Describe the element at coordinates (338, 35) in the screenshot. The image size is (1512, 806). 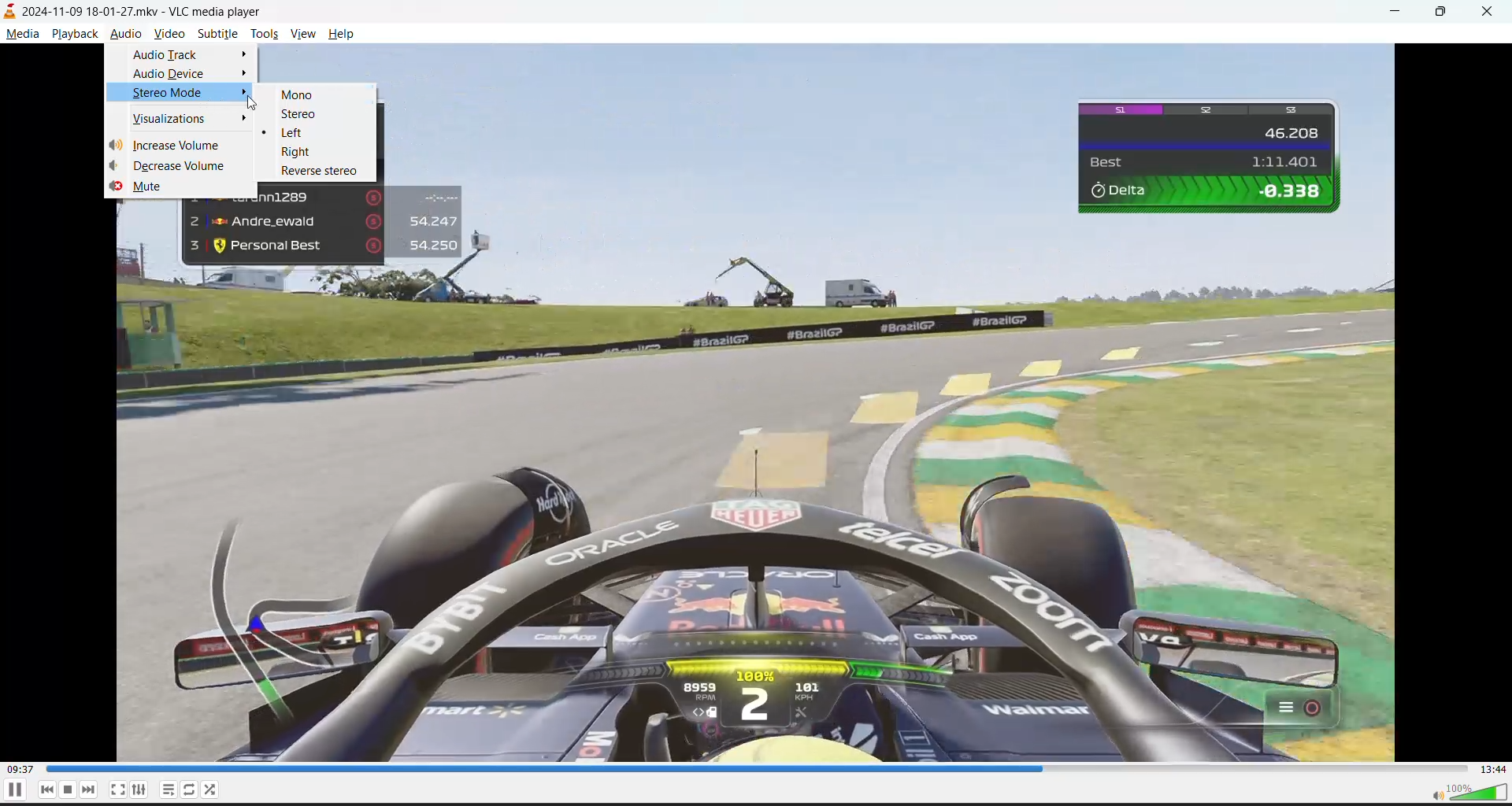
I see `help` at that location.